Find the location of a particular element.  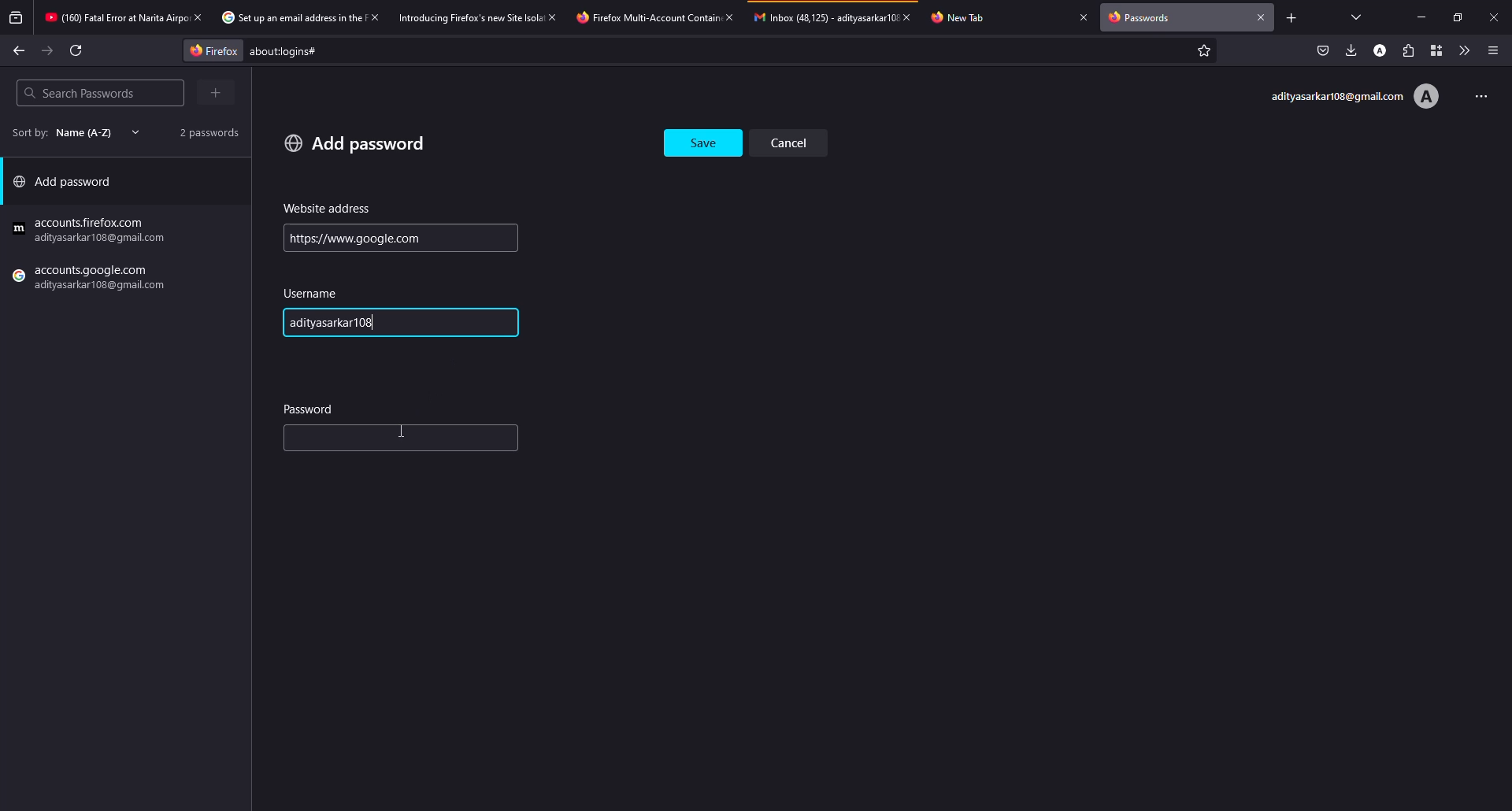

save is located at coordinates (705, 139).